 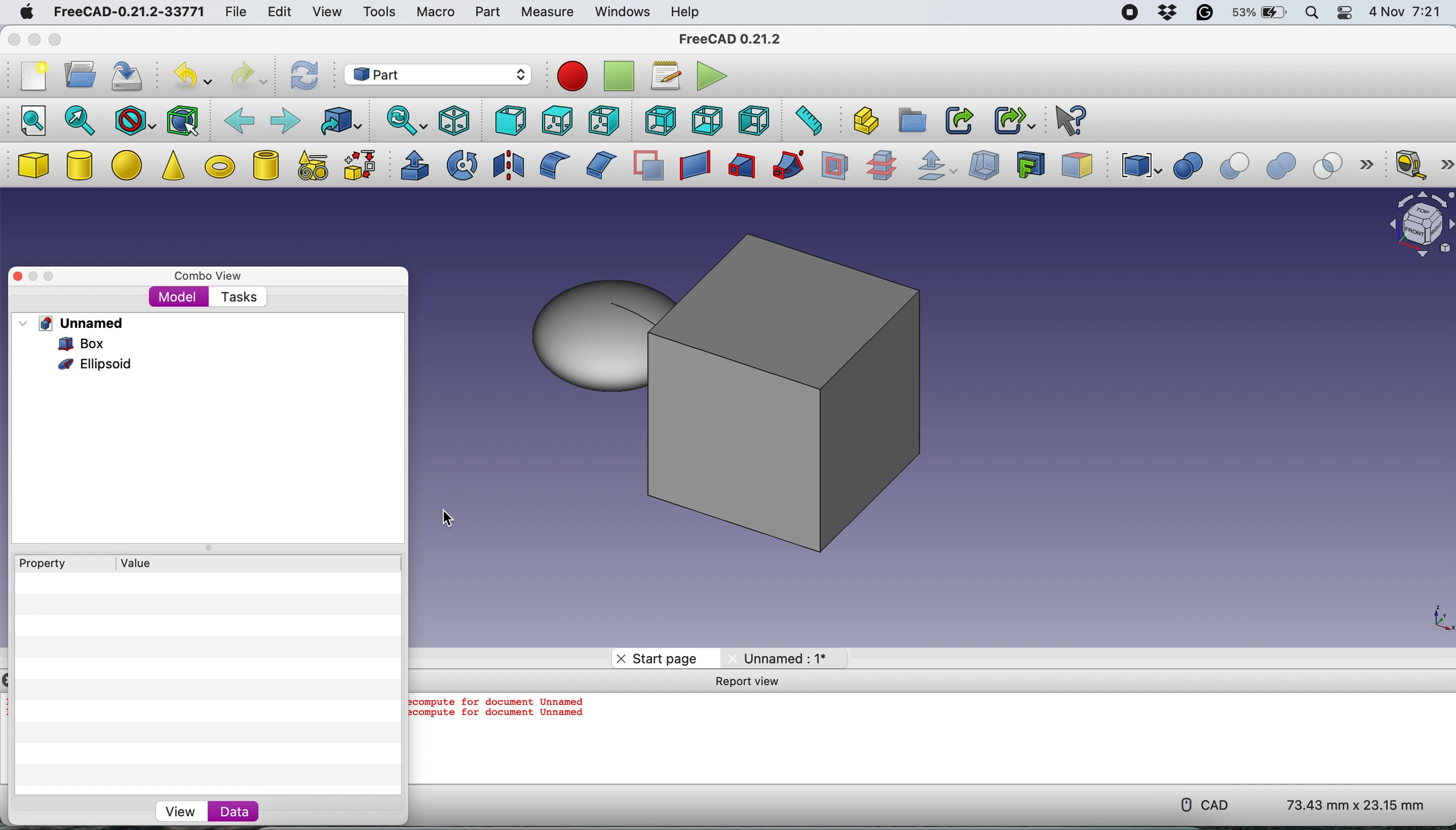 I want to click on view, so click(x=184, y=811).